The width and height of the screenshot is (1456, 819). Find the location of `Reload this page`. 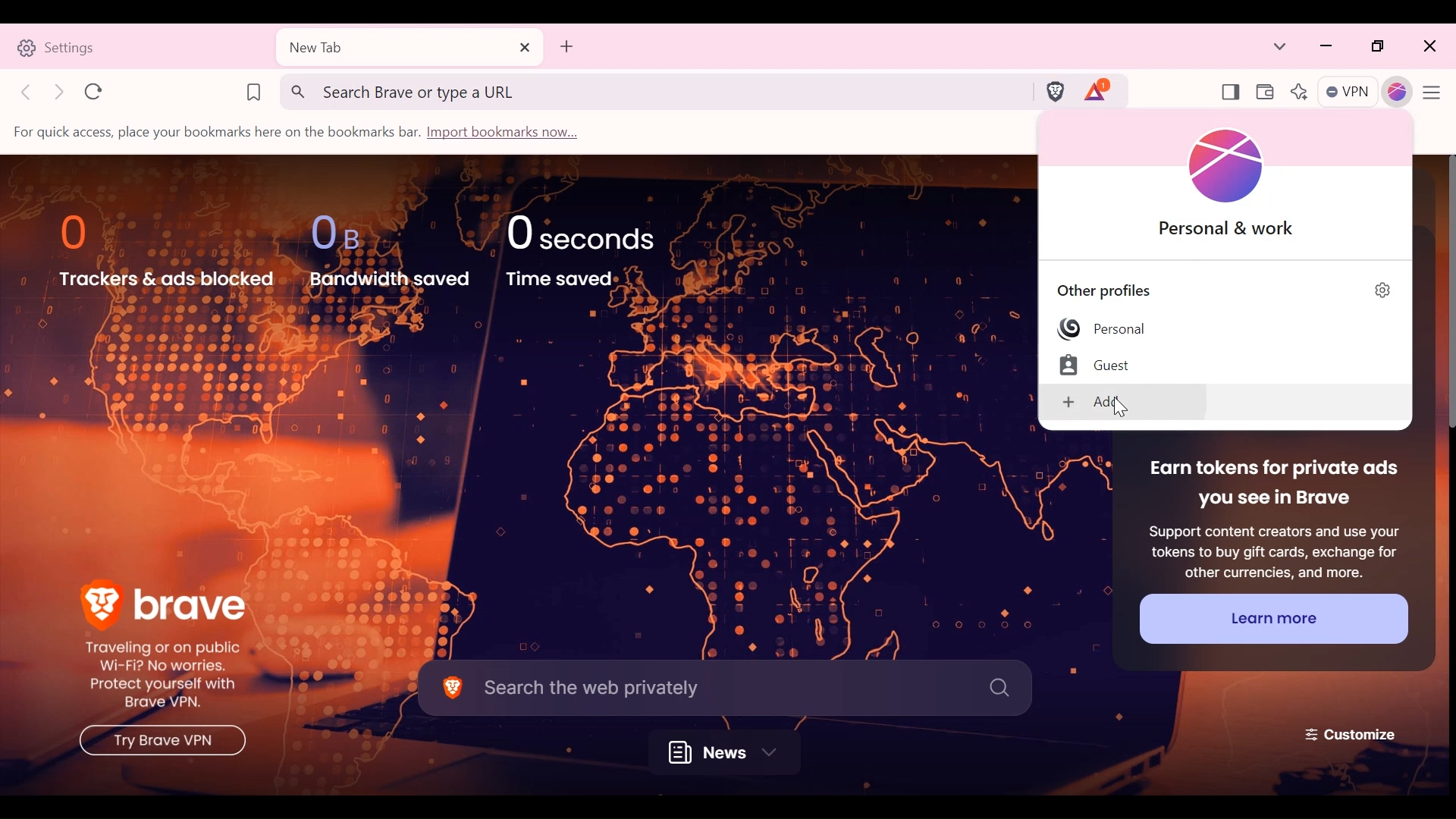

Reload this page is located at coordinates (94, 91).